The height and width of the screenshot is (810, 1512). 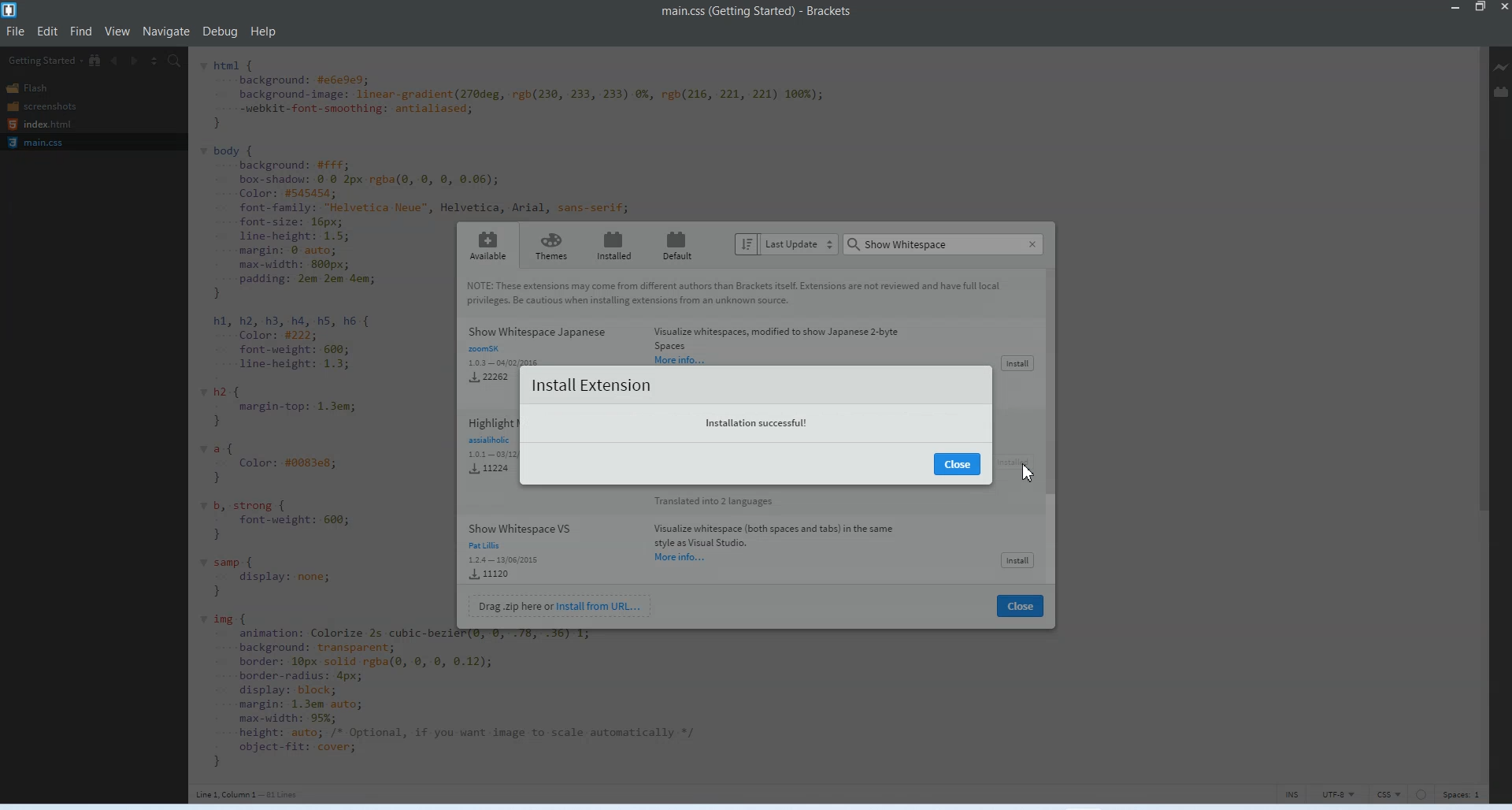 I want to click on Circle, so click(x=1423, y=792).